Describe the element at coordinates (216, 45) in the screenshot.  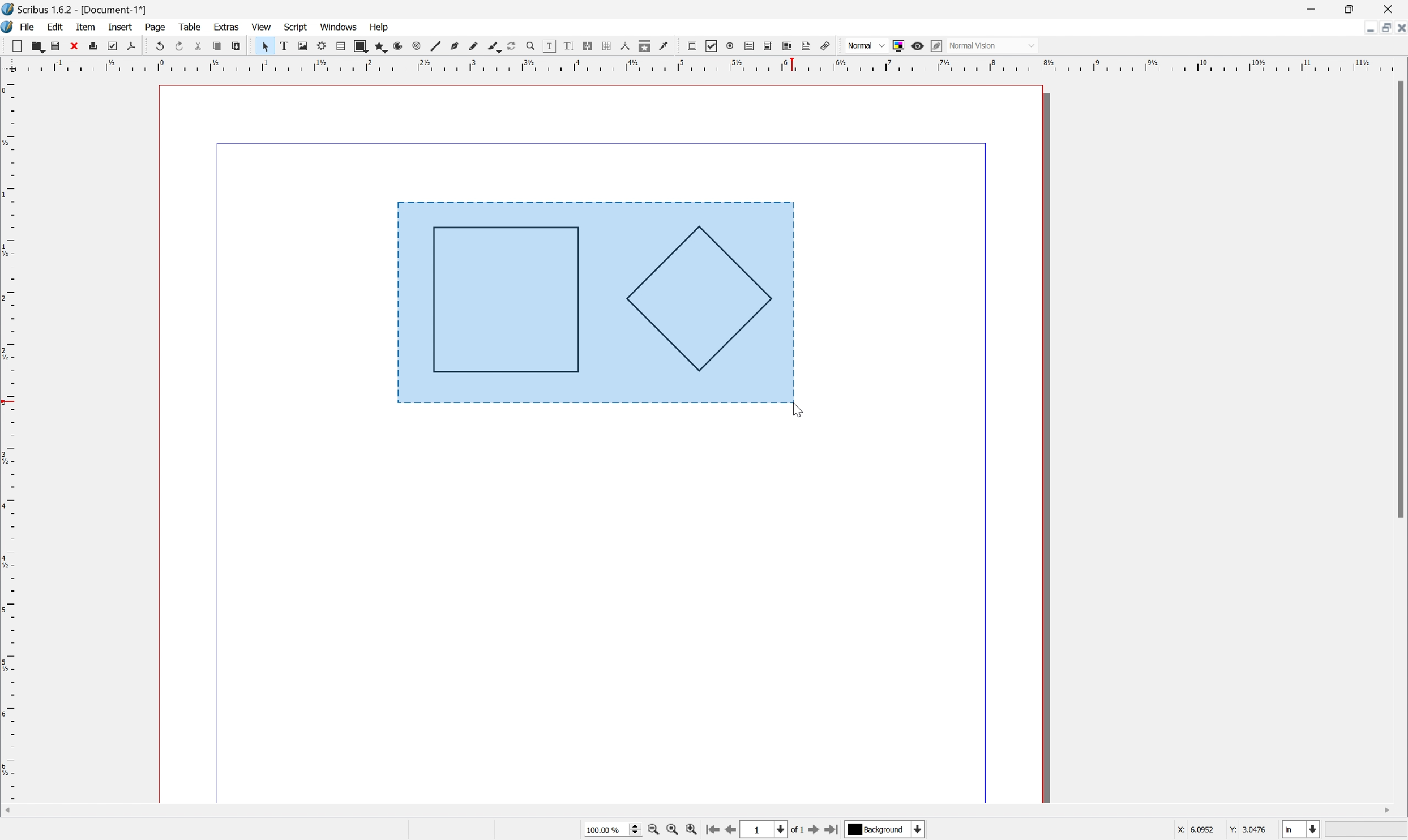
I see `copy` at that location.